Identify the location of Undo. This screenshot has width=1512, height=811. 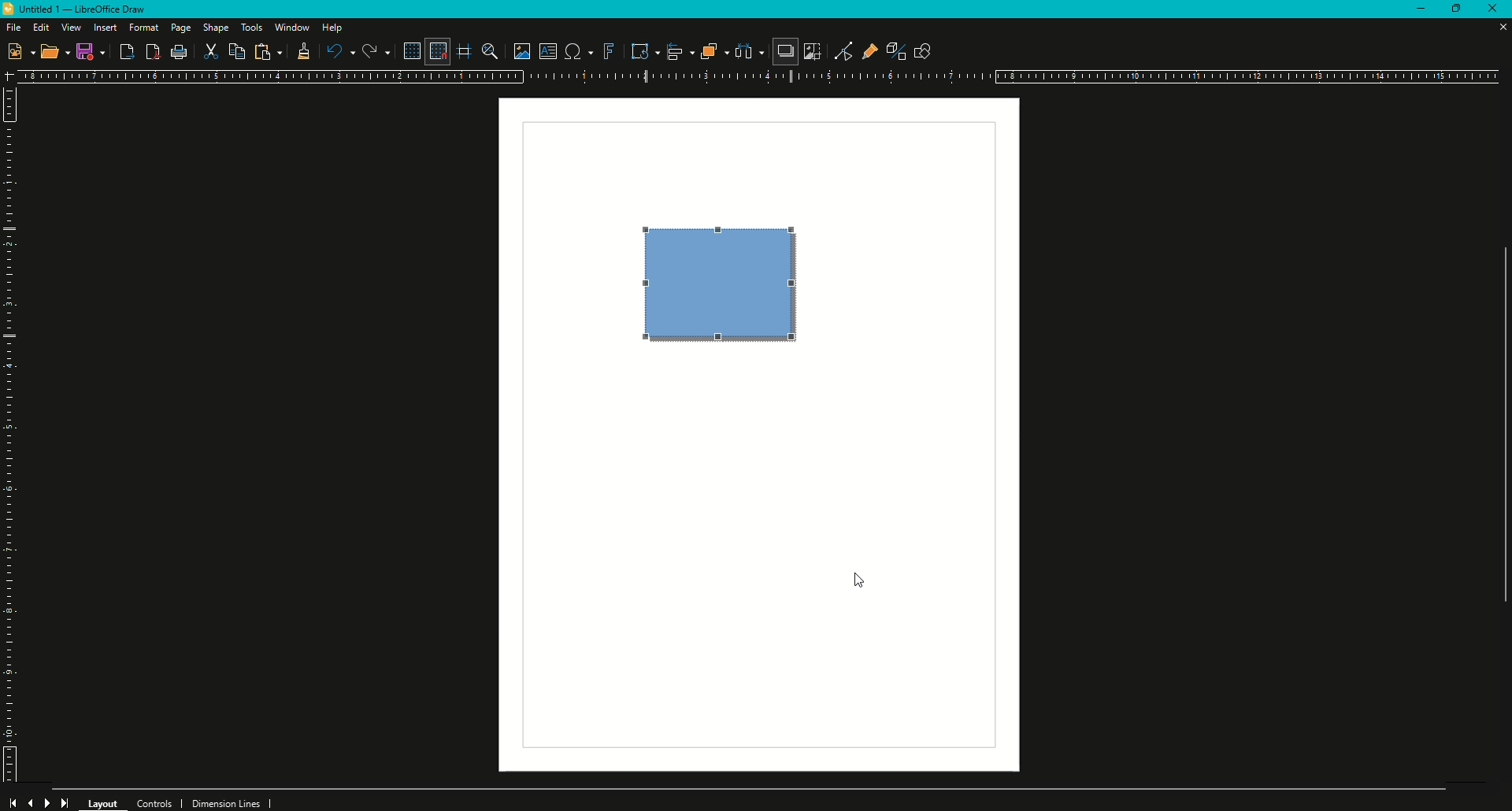
(339, 51).